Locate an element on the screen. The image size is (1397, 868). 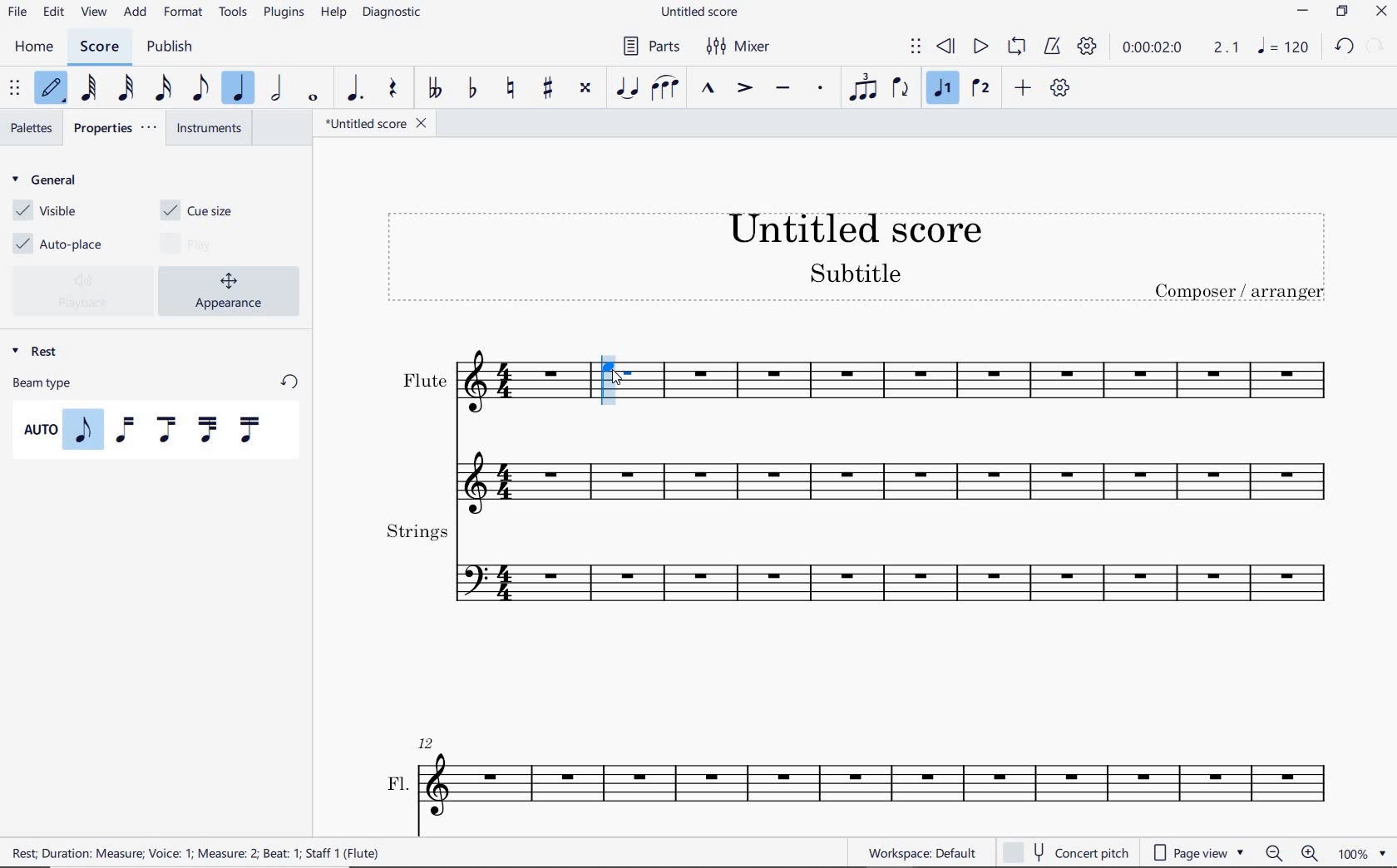
FLIP DIRECTION is located at coordinates (901, 90).